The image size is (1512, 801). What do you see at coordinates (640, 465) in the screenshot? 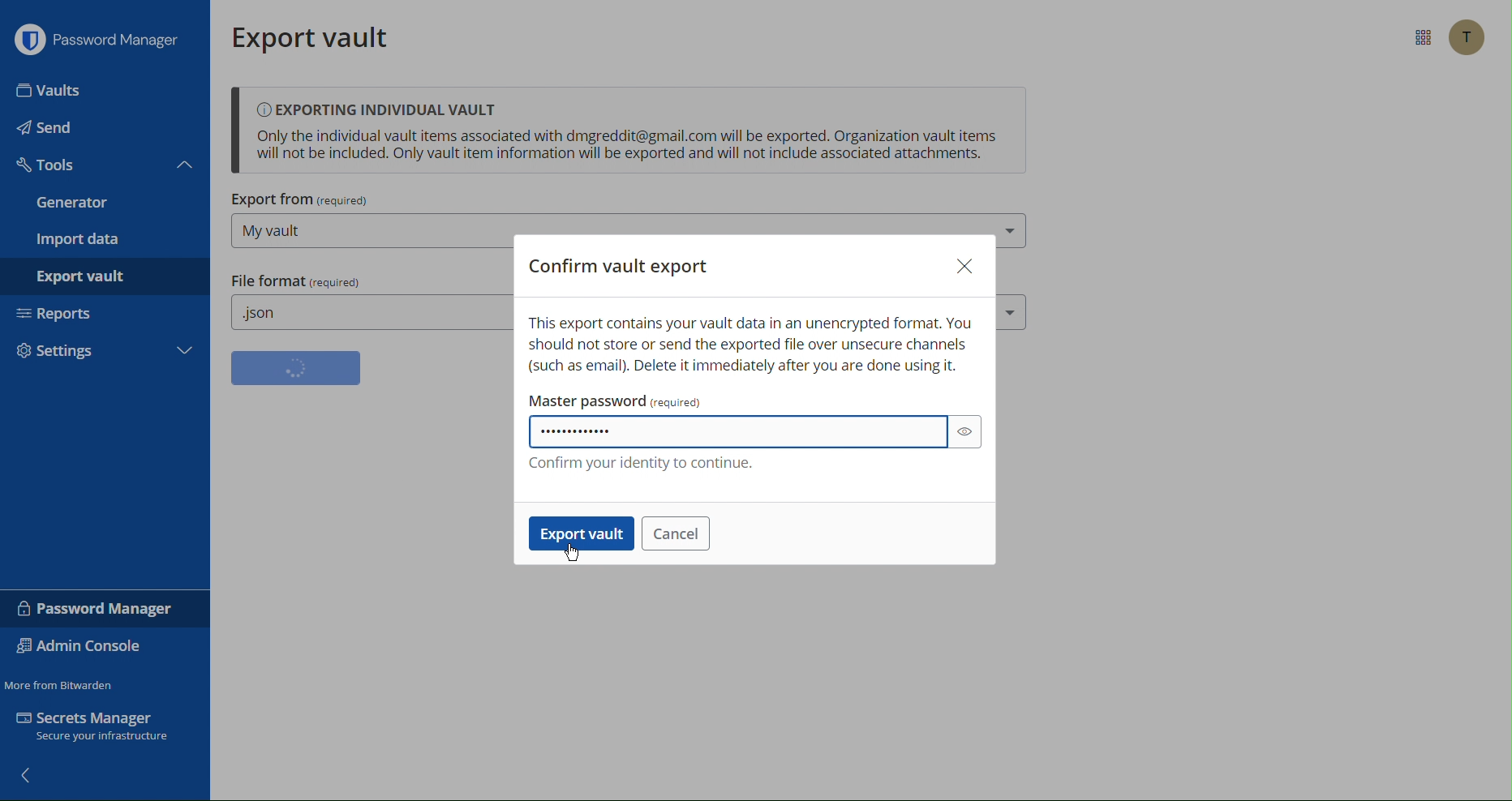
I see `Confirm your identify to continue` at bounding box center [640, 465].